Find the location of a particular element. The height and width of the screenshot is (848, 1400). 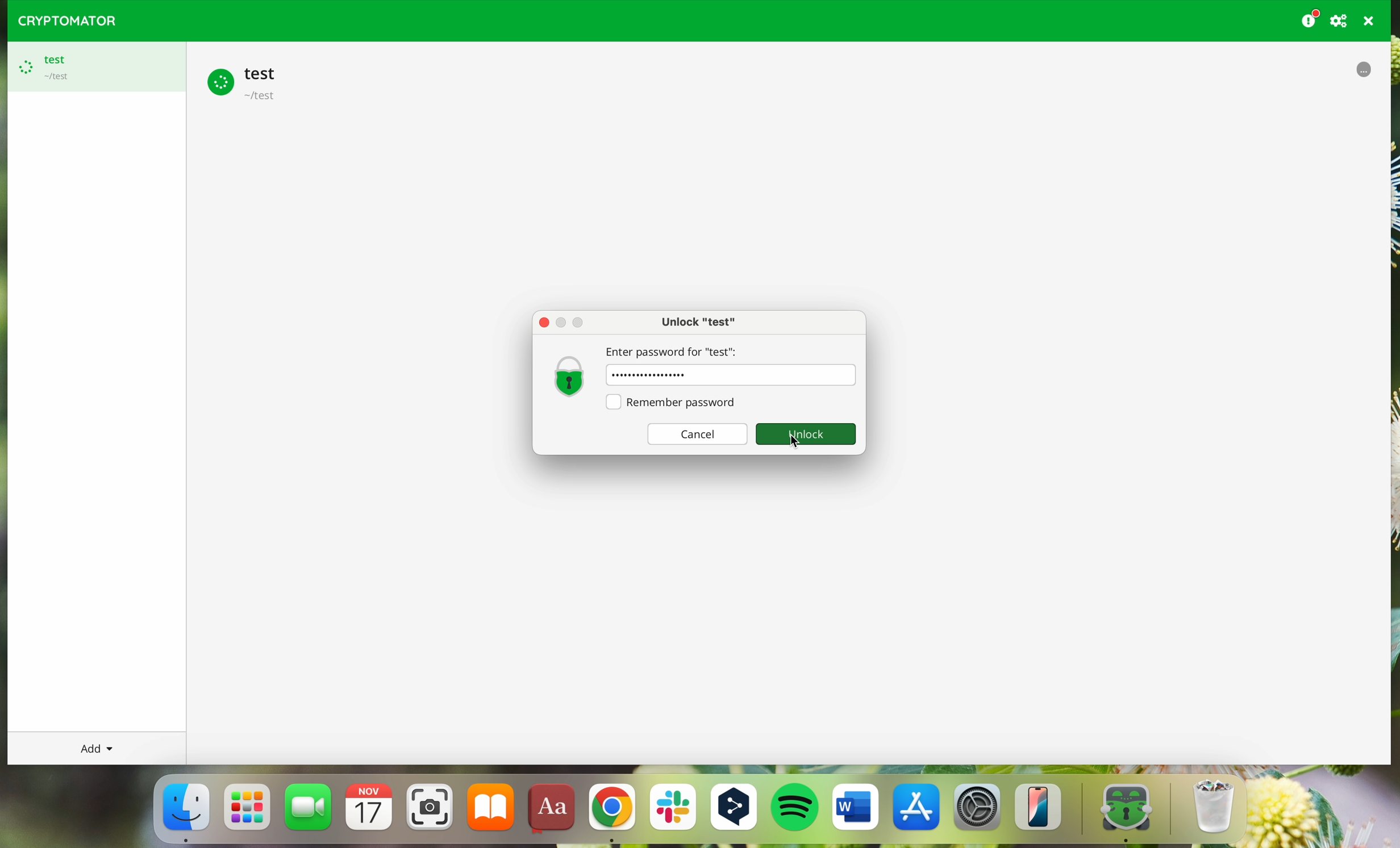

Remember password is located at coordinates (674, 404).